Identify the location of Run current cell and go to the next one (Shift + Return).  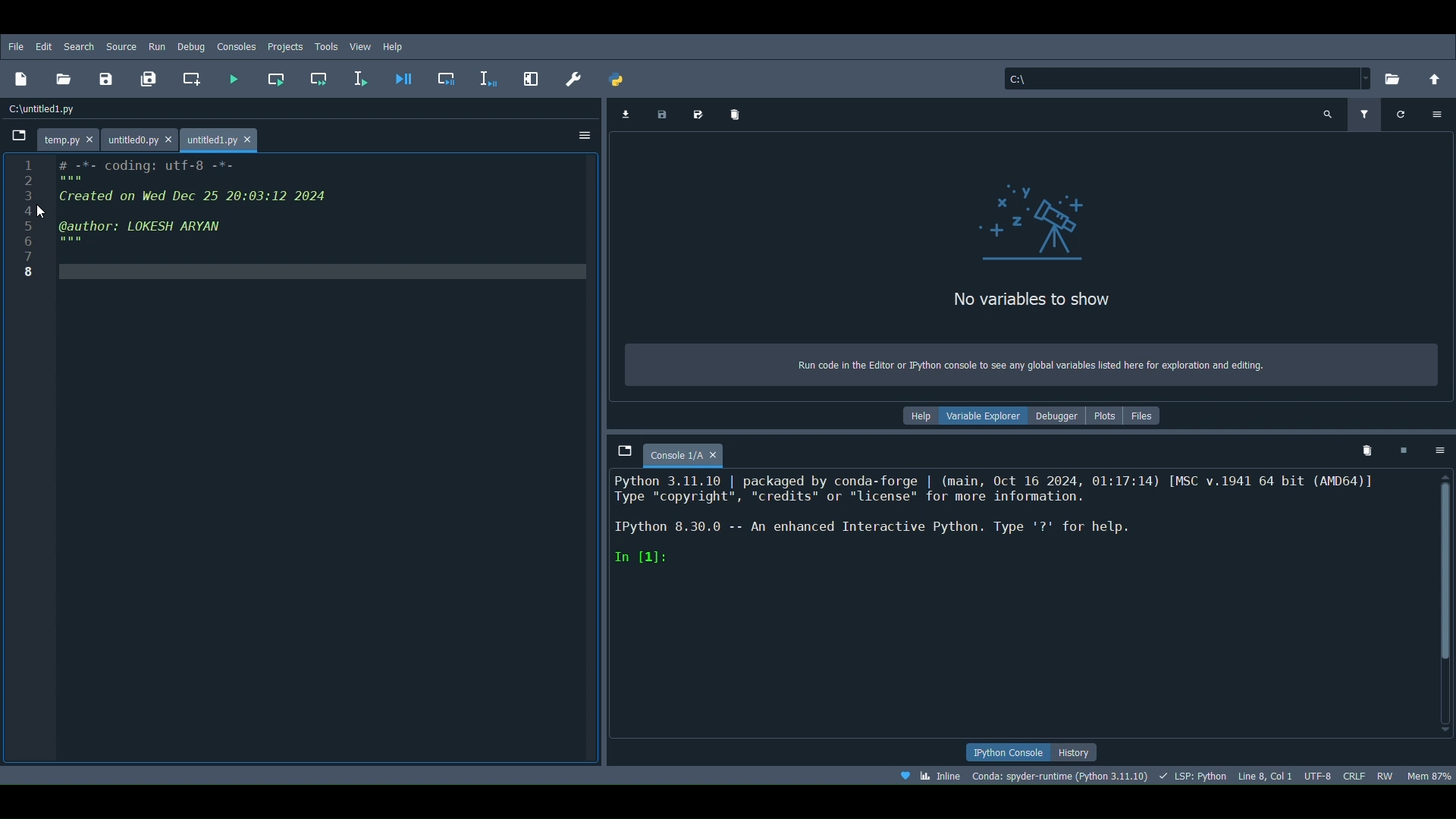
(322, 78).